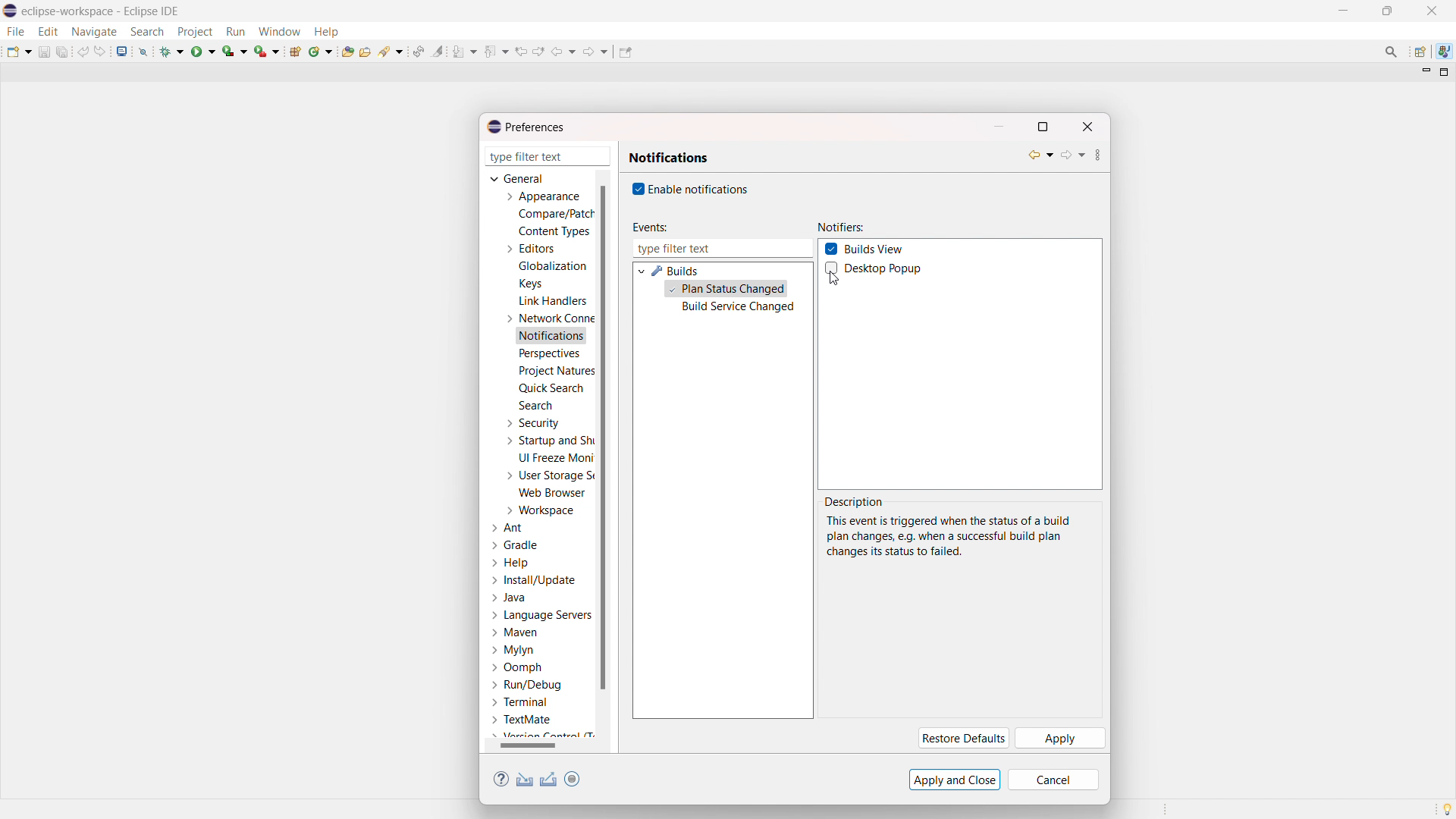 This screenshot has height=819, width=1456. I want to click on maximize dialogbox, so click(1042, 127).